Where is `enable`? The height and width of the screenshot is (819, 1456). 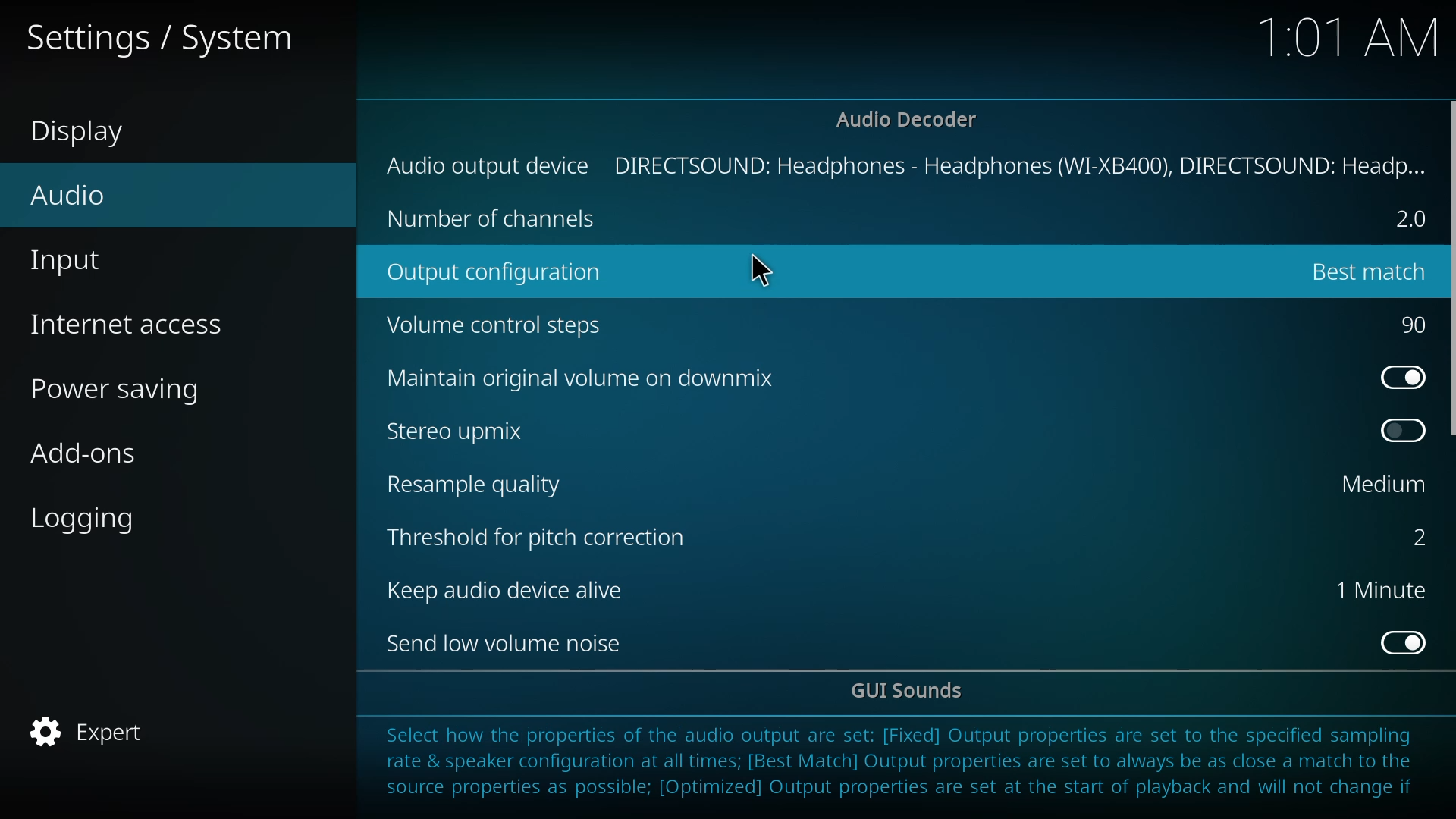 enable is located at coordinates (1397, 431).